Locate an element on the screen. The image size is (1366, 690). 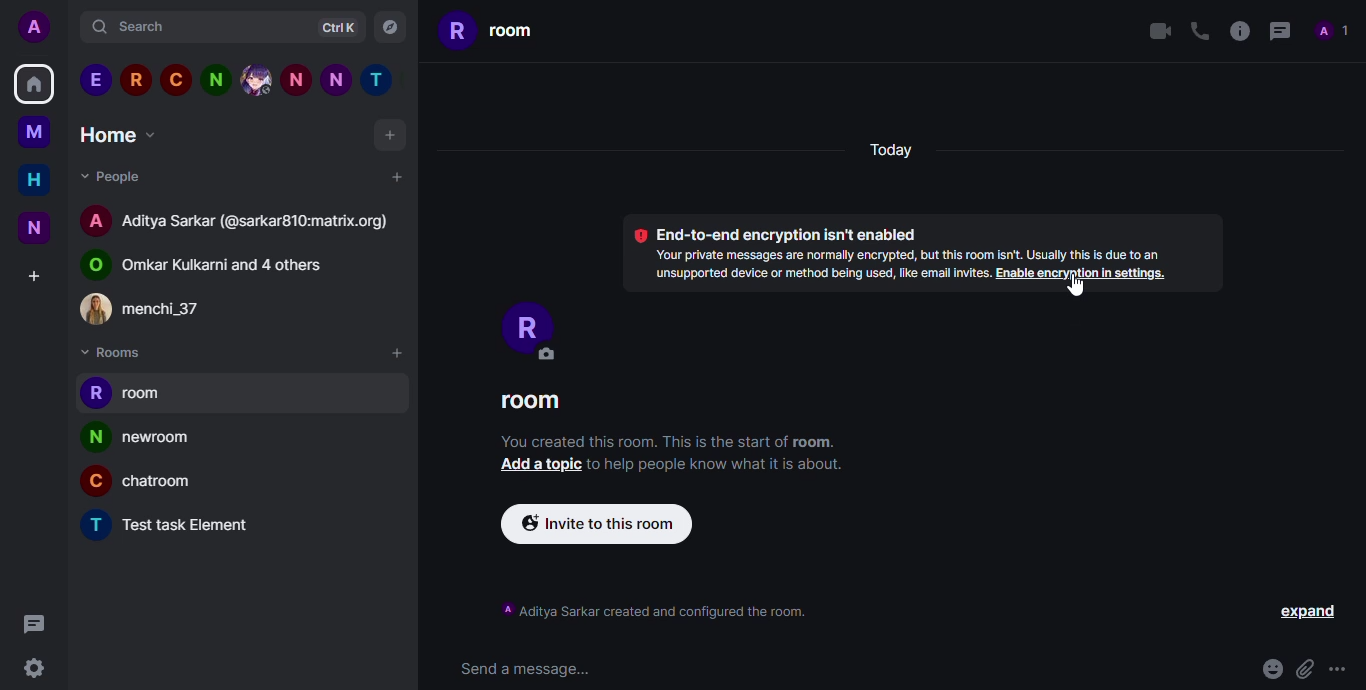
myspace is located at coordinates (33, 133).